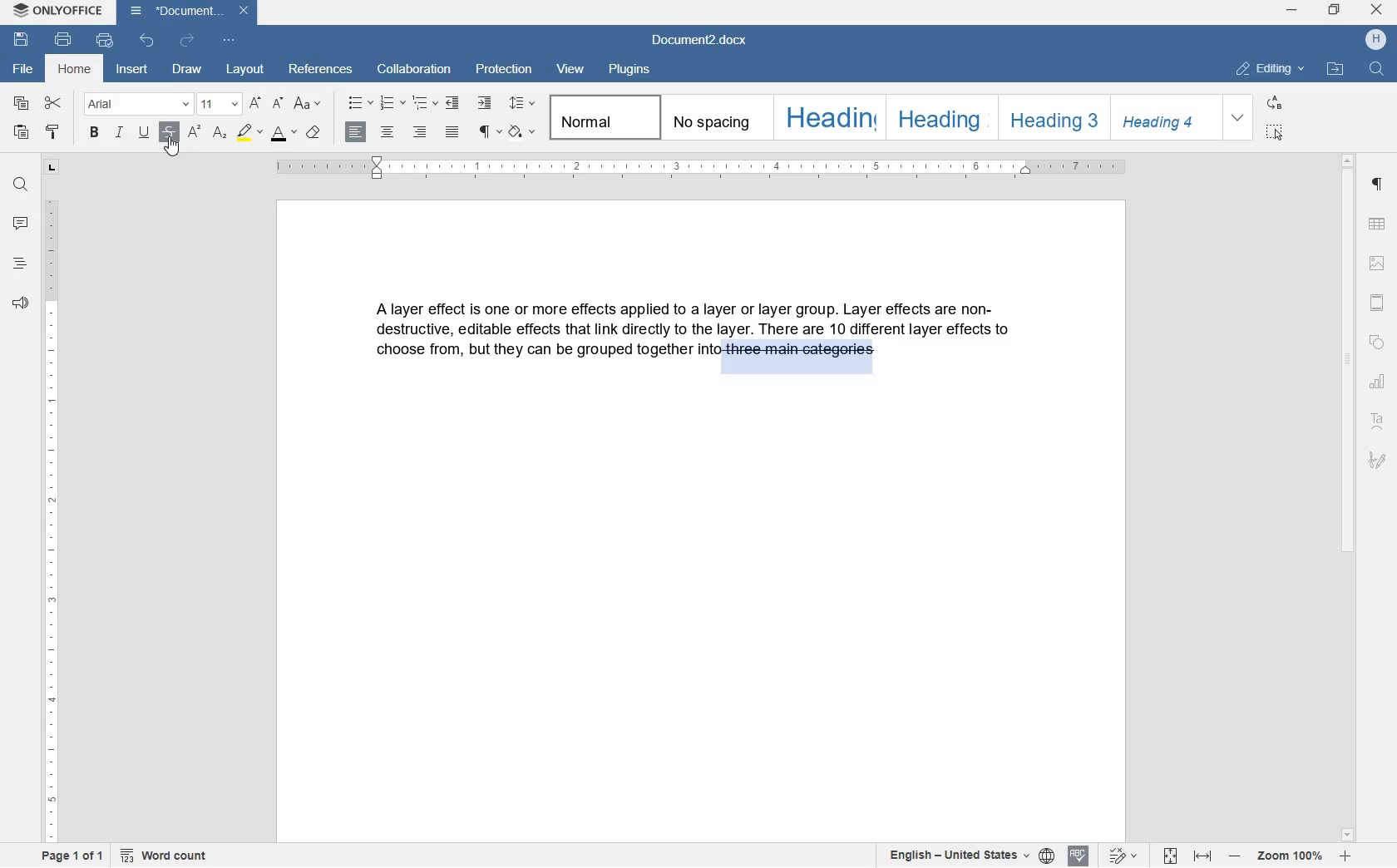 The width and height of the screenshot is (1397, 868). I want to click on paragraph line spacing, so click(524, 106).